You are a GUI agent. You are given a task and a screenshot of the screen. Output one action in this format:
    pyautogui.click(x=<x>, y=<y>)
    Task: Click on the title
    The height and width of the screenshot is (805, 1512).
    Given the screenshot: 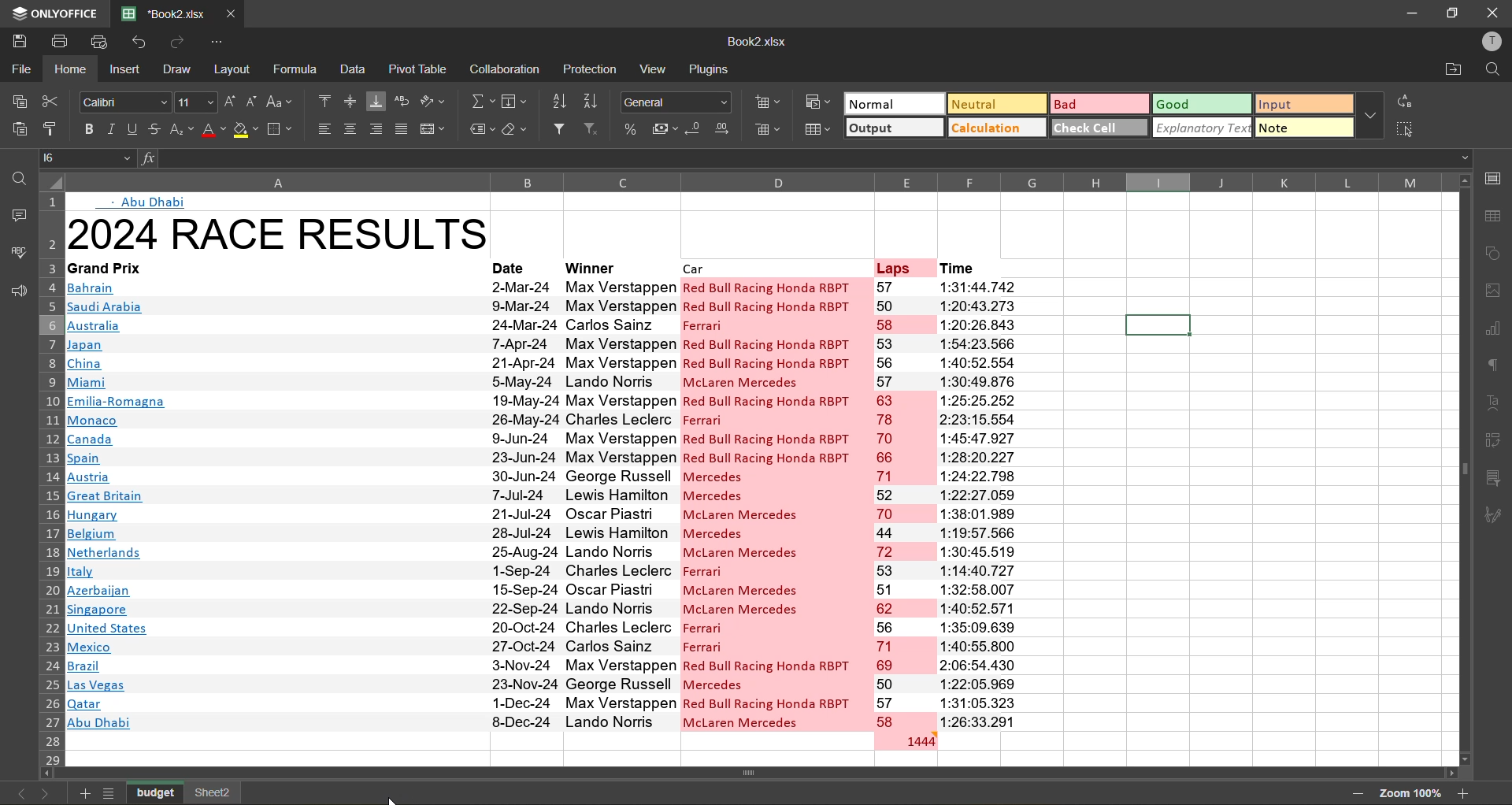 What is the action you would take?
    pyautogui.click(x=276, y=230)
    